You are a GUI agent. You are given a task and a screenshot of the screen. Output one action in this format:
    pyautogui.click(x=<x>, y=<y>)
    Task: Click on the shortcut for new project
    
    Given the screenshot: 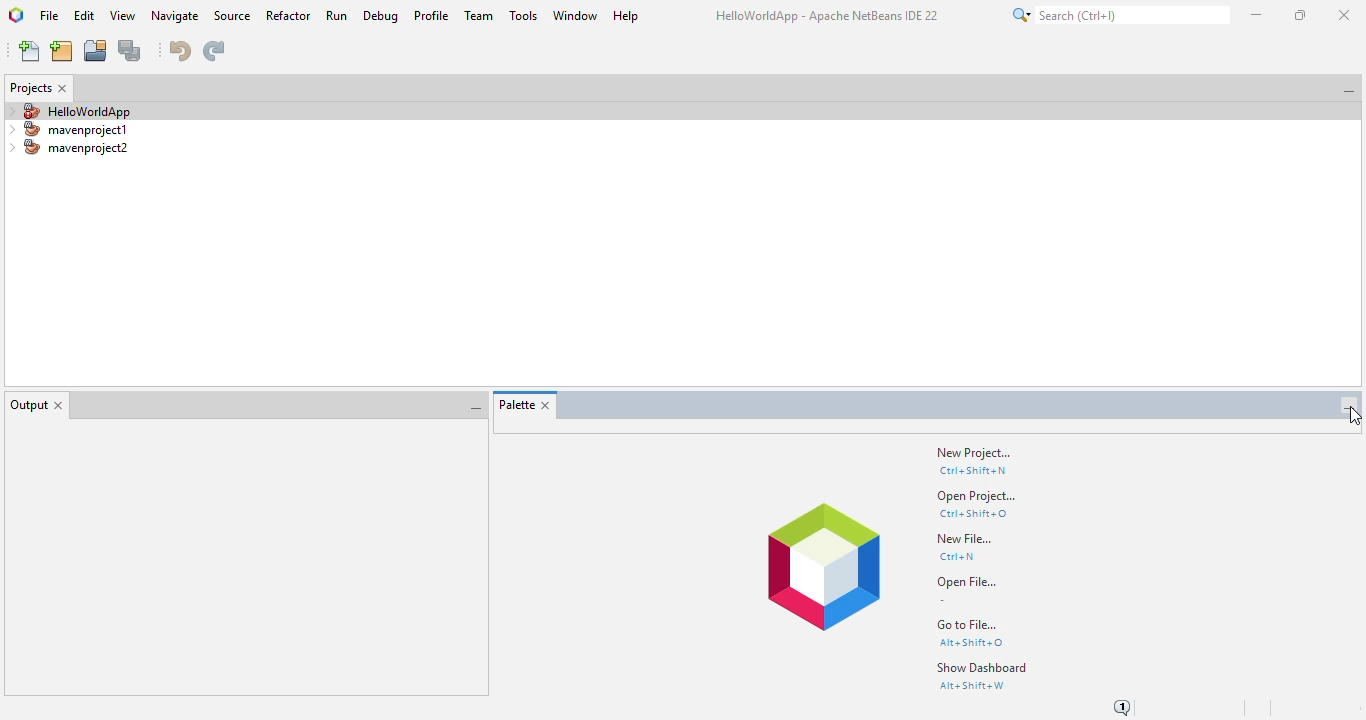 What is the action you would take?
    pyautogui.click(x=974, y=472)
    